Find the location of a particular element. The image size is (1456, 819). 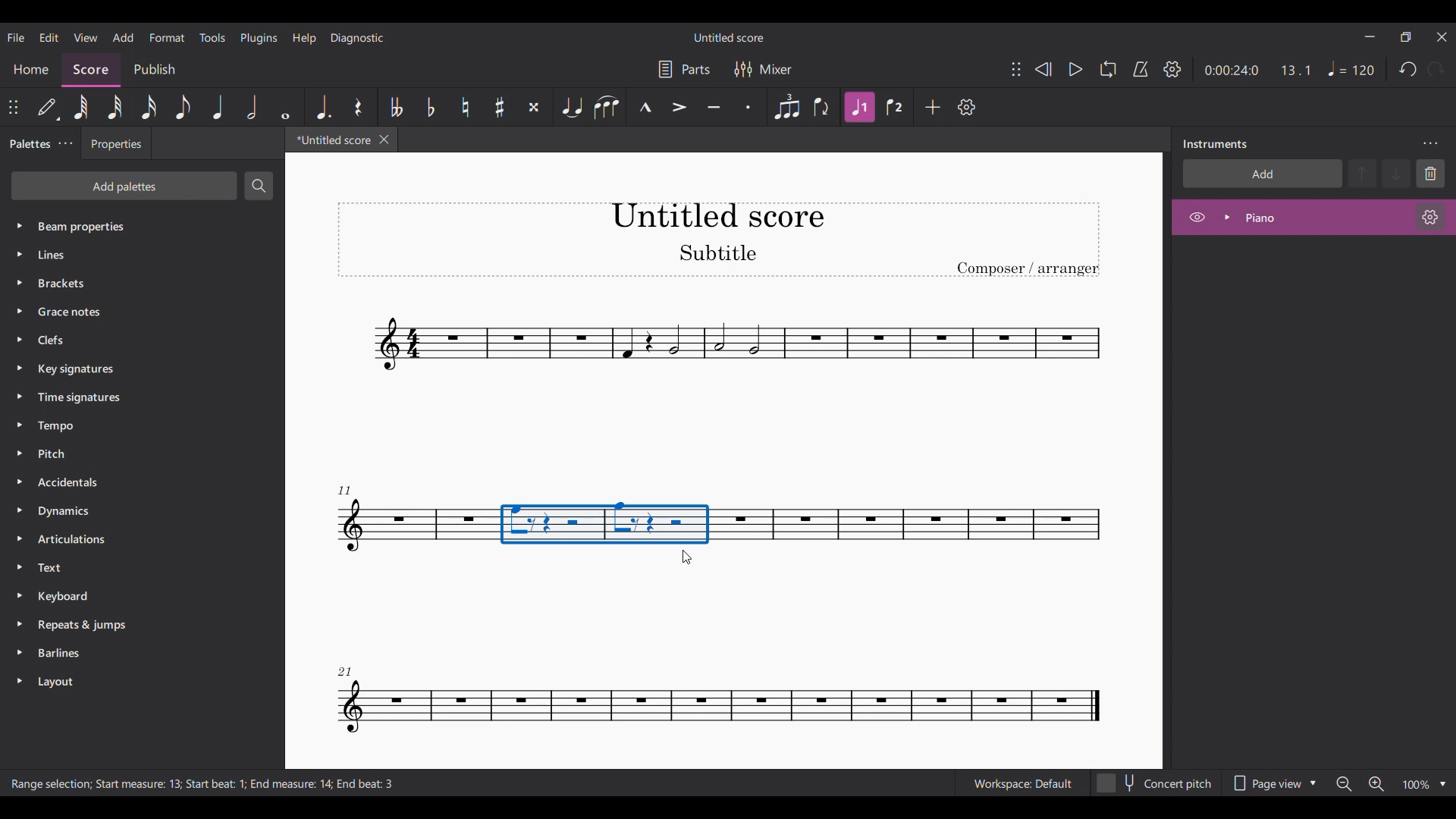

Voice 2 is located at coordinates (894, 107).